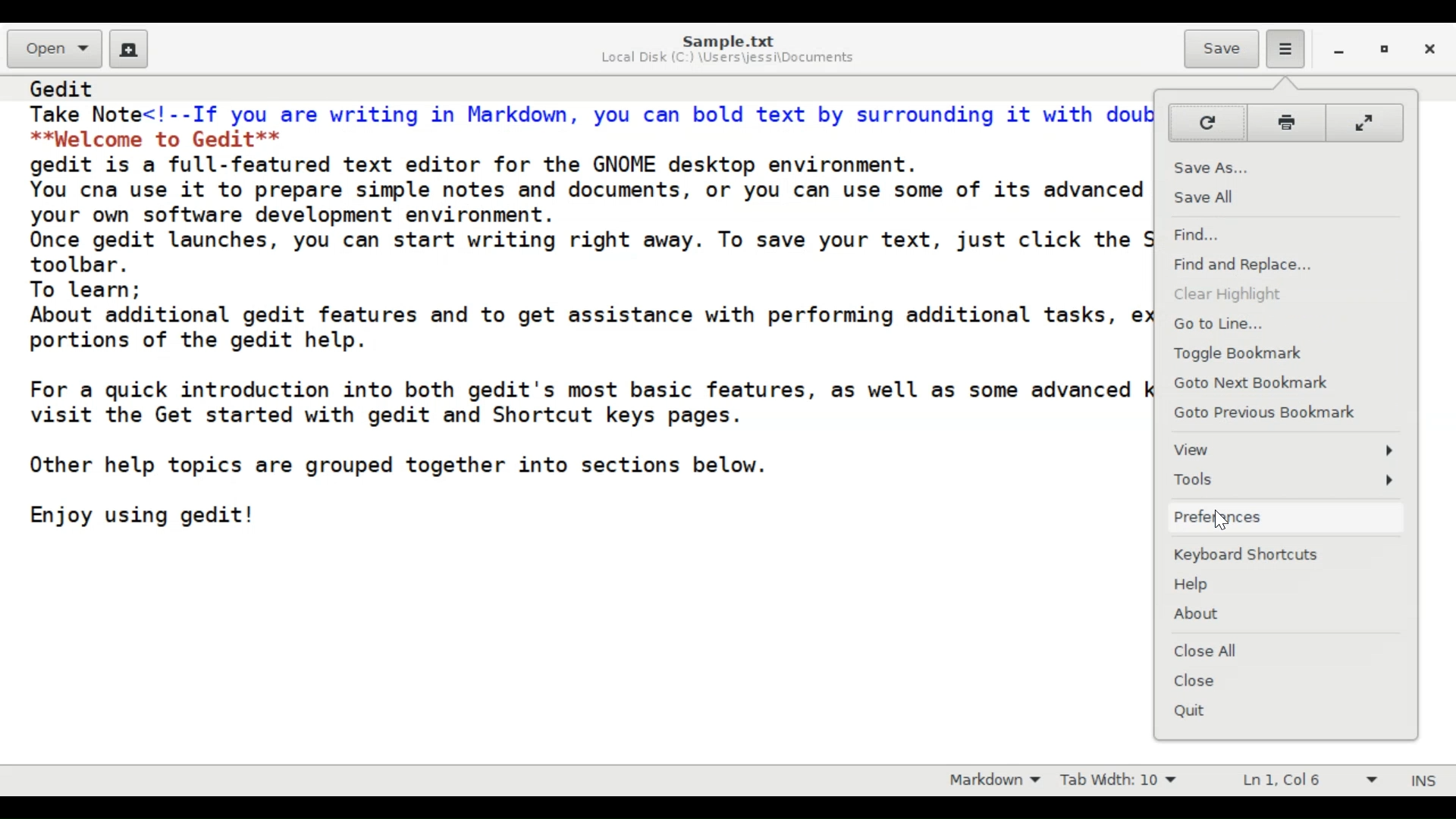 The width and height of the screenshot is (1456, 819). What do you see at coordinates (728, 59) in the screenshot?
I see `Local Disk (C:) \Users\jessi\Documents` at bounding box center [728, 59].